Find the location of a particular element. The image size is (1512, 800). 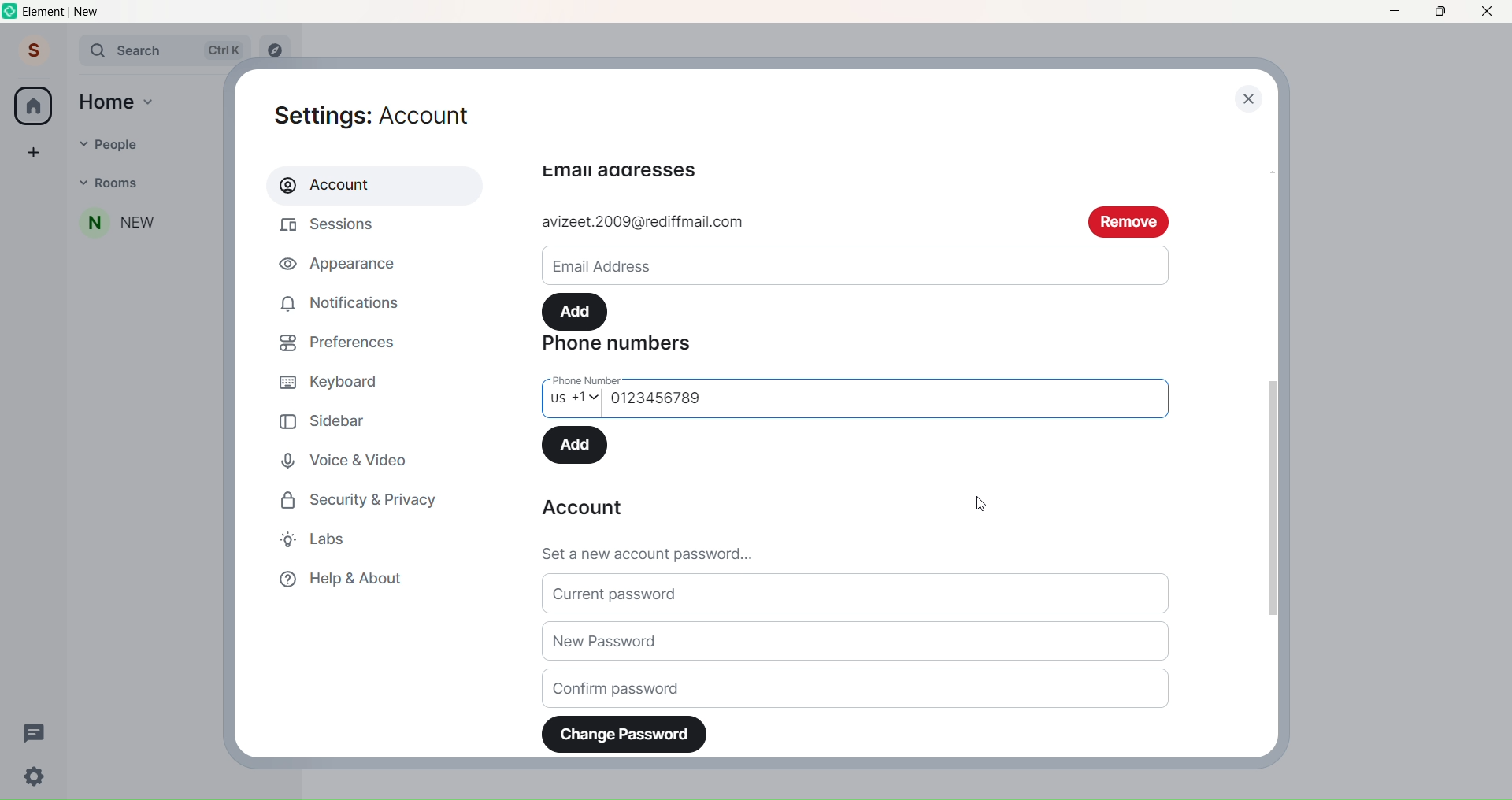

Home dropdown is located at coordinates (150, 100).